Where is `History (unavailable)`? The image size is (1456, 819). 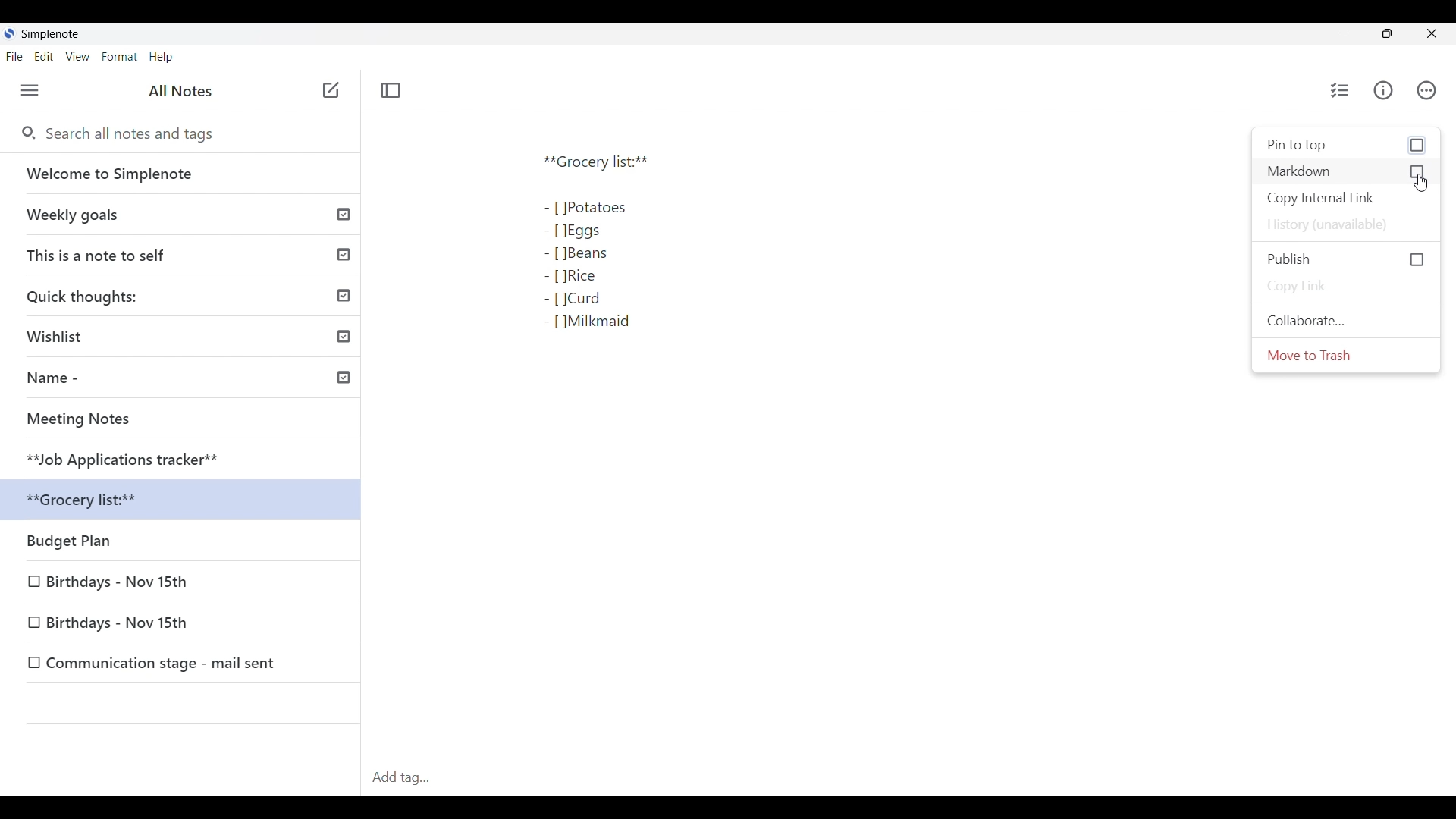 History (unavailable) is located at coordinates (1345, 225).